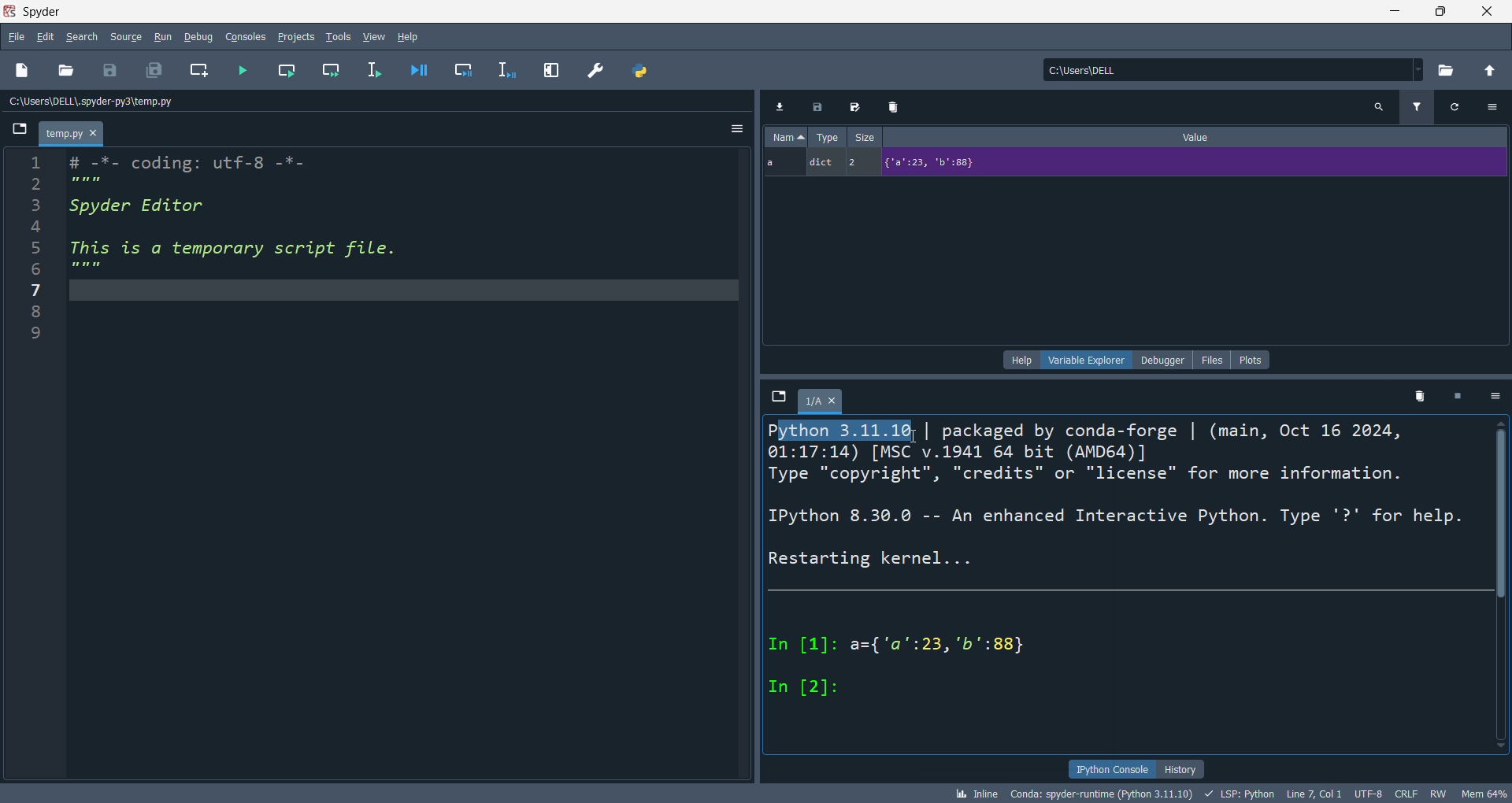  I want to click on current directory: c:\users\dell, so click(1236, 71).